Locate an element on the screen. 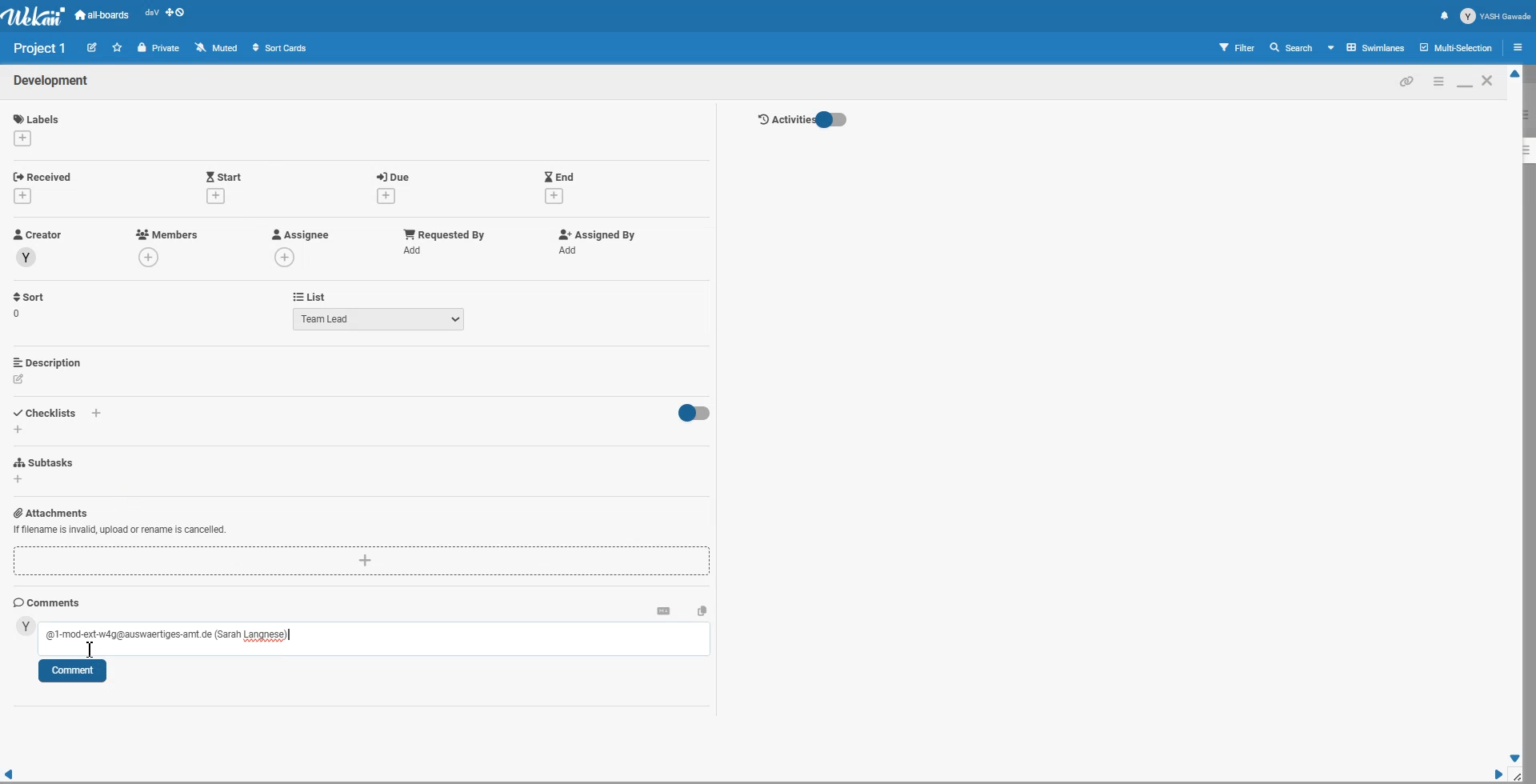 The image size is (1536, 784). Maximize is located at coordinates (1464, 81).